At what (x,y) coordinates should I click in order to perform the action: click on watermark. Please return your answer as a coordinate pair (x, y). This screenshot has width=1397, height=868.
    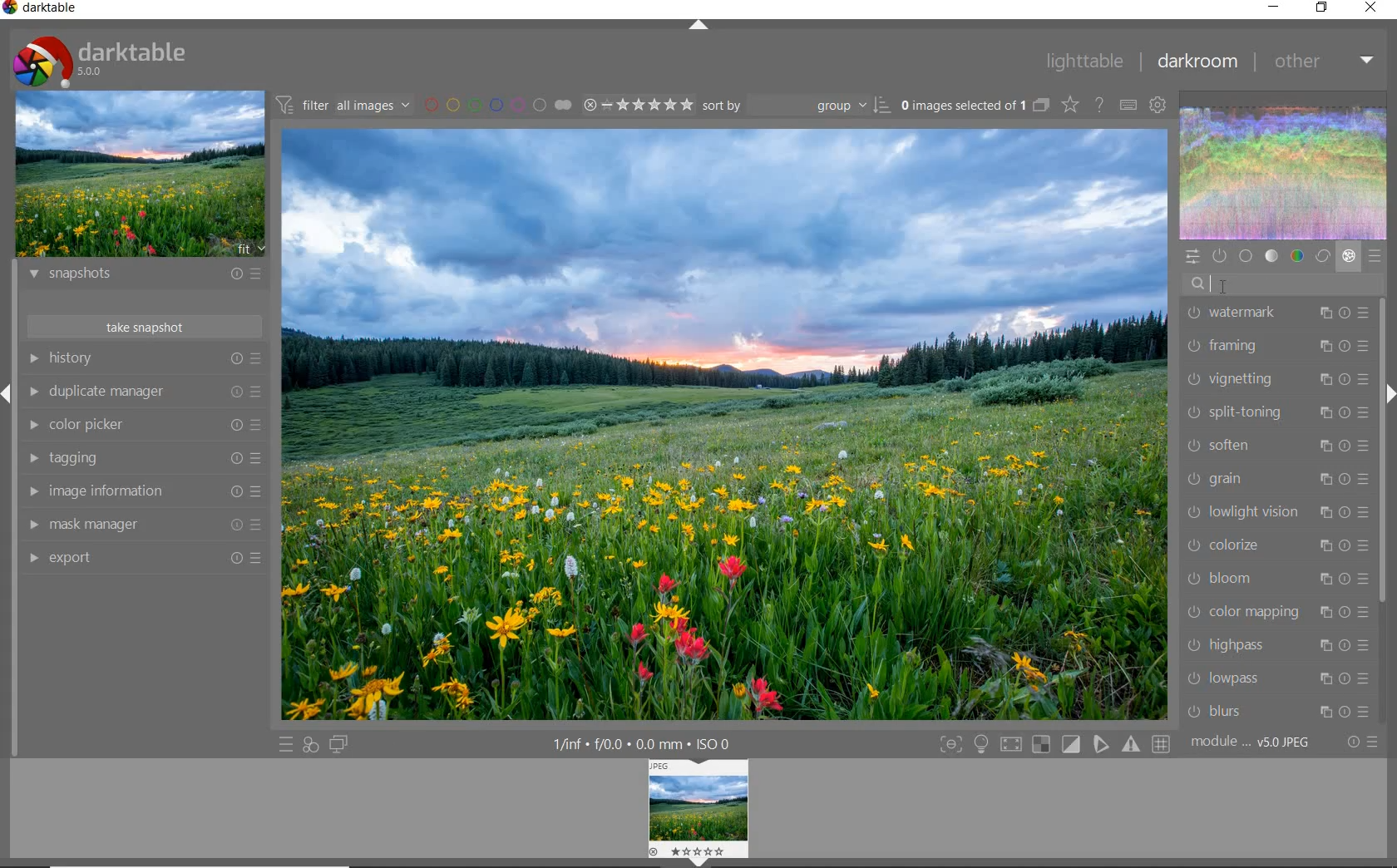
    Looking at the image, I should click on (1274, 315).